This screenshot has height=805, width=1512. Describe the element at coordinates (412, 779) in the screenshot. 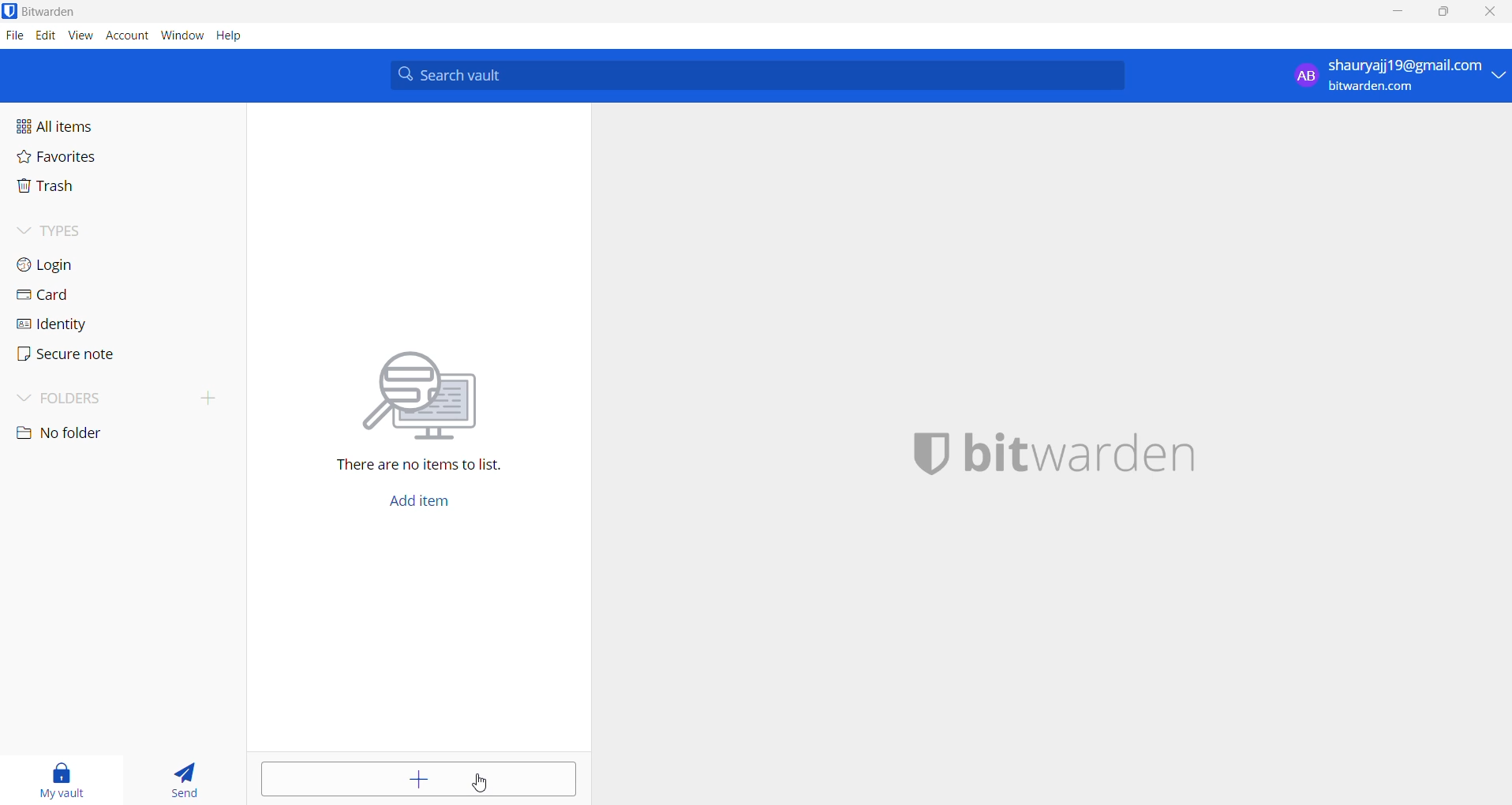

I see `add` at that location.